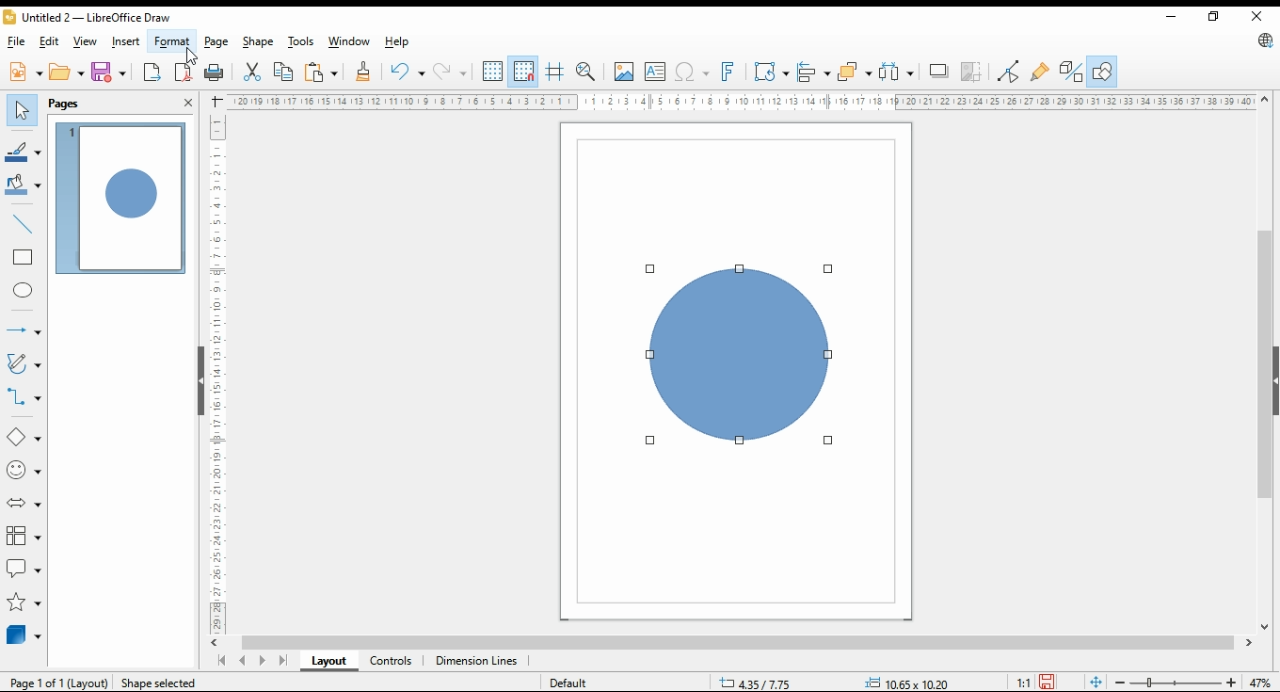 Image resolution: width=1280 pixels, height=692 pixels. What do you see at coordinates (108, 71) in the screenshot?
I see `save` at bounding box center [108, 71].